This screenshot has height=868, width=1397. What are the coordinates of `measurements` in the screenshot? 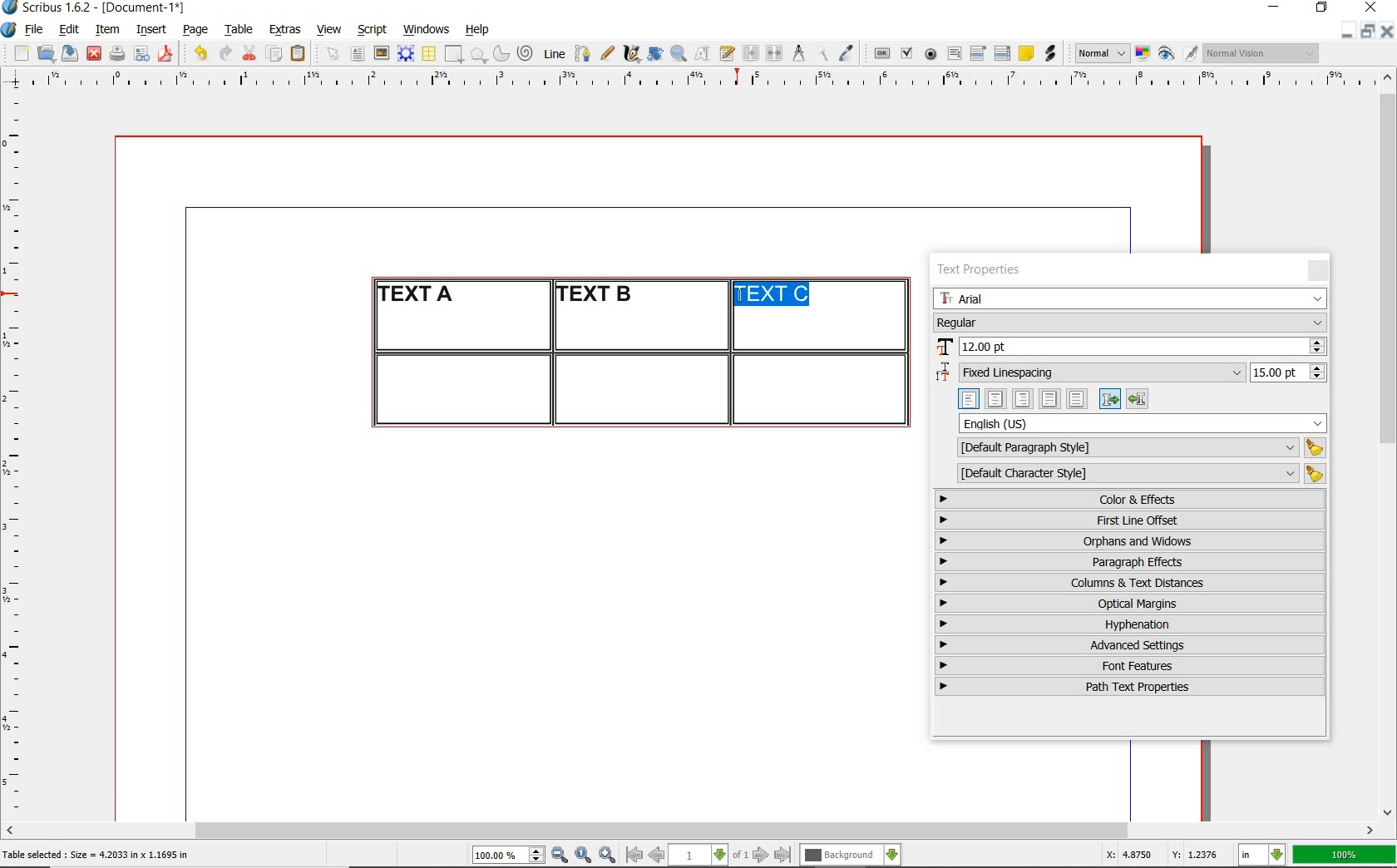 It's located at (798, 54).